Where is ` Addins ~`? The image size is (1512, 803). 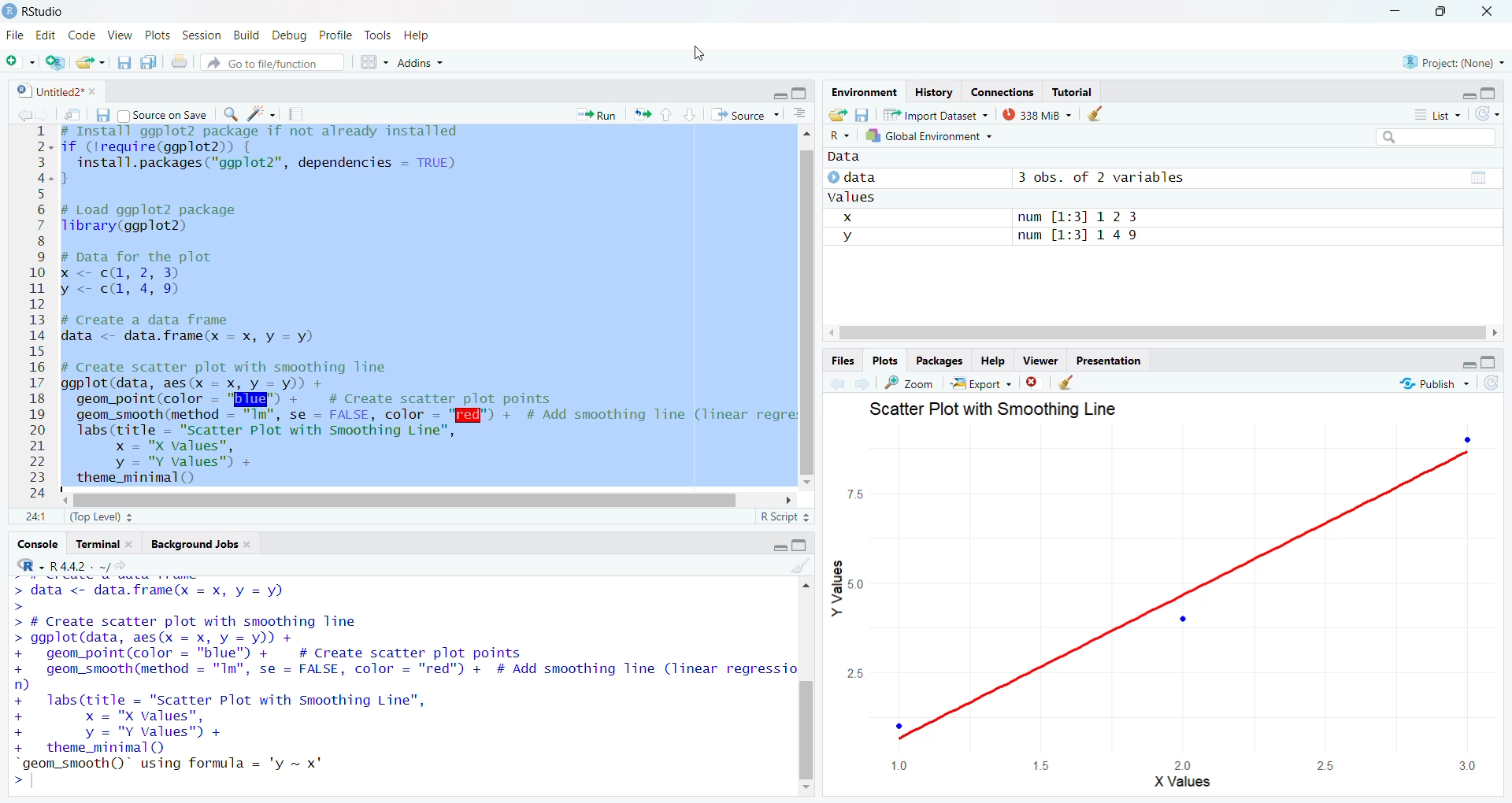  Addins ~ is located at coordinates (424, 63).